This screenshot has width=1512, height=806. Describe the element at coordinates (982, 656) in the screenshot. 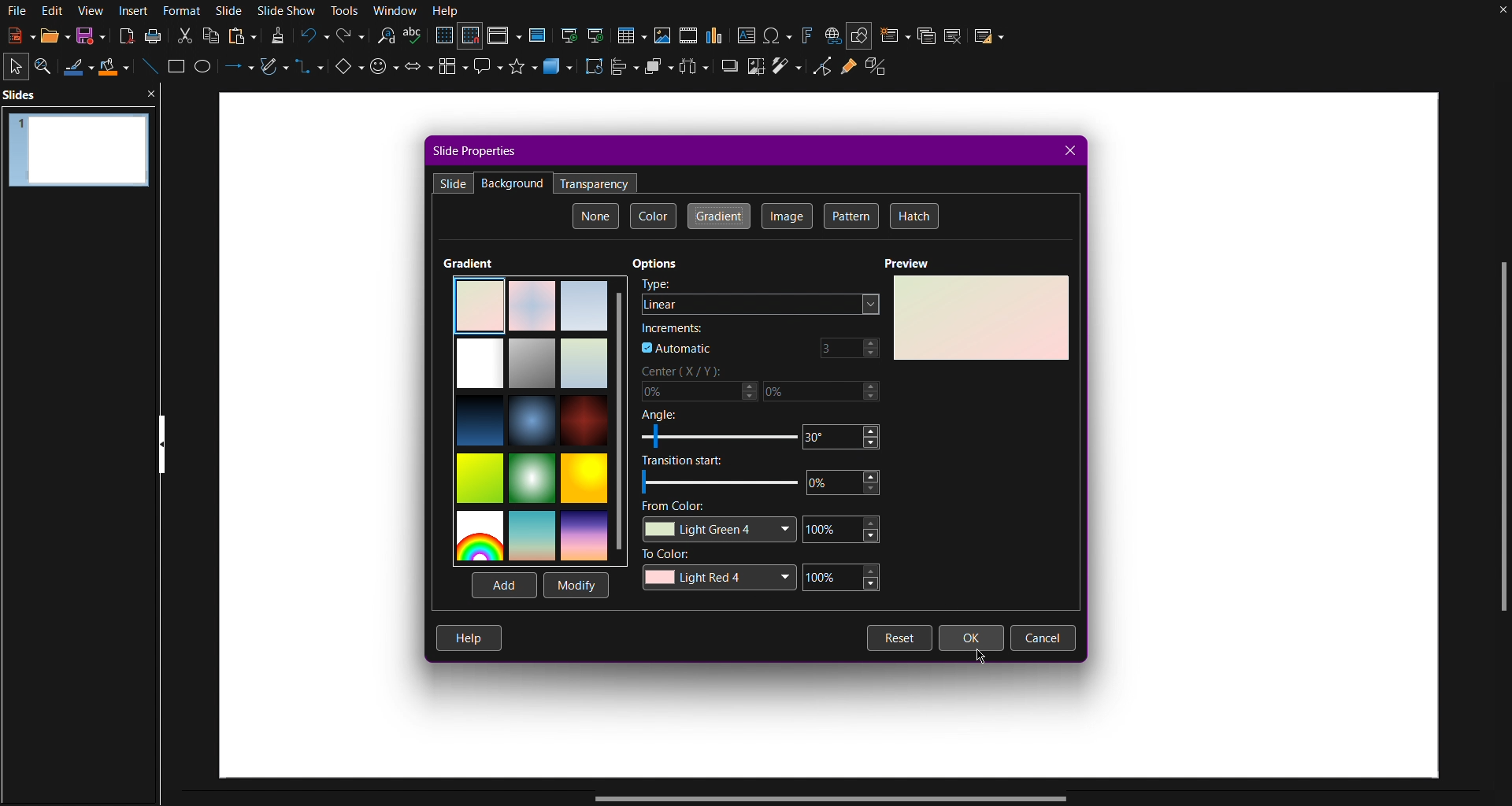

I see `Cursor` at that location.